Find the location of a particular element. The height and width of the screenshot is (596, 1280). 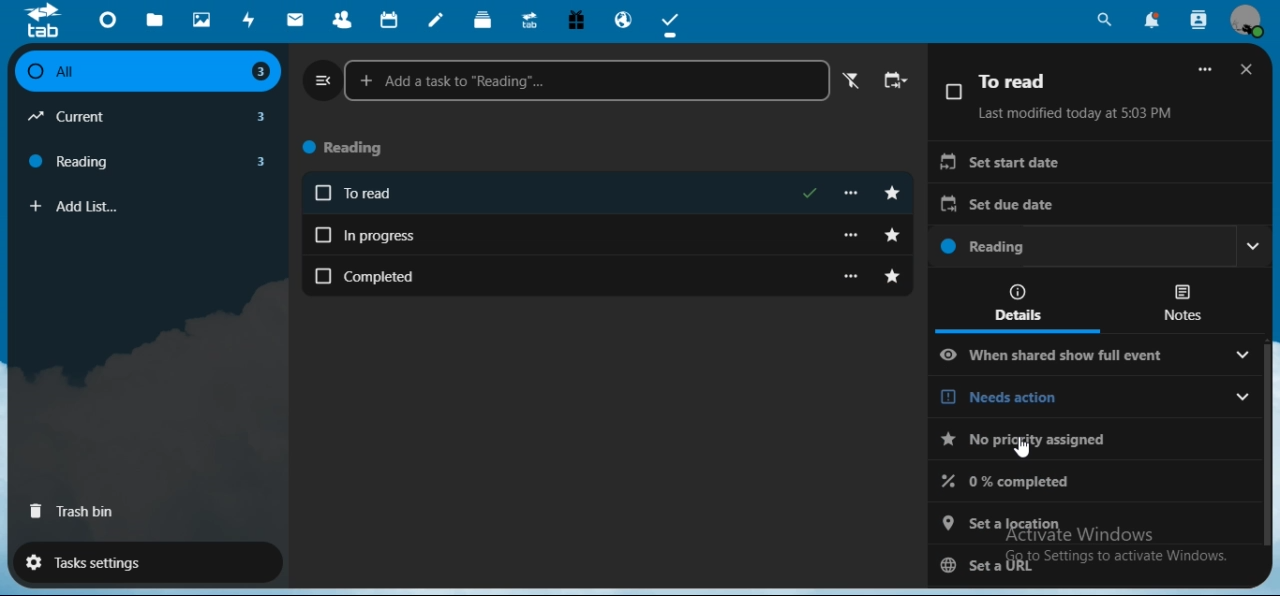

close navigation is located at coordinates (320, 79).